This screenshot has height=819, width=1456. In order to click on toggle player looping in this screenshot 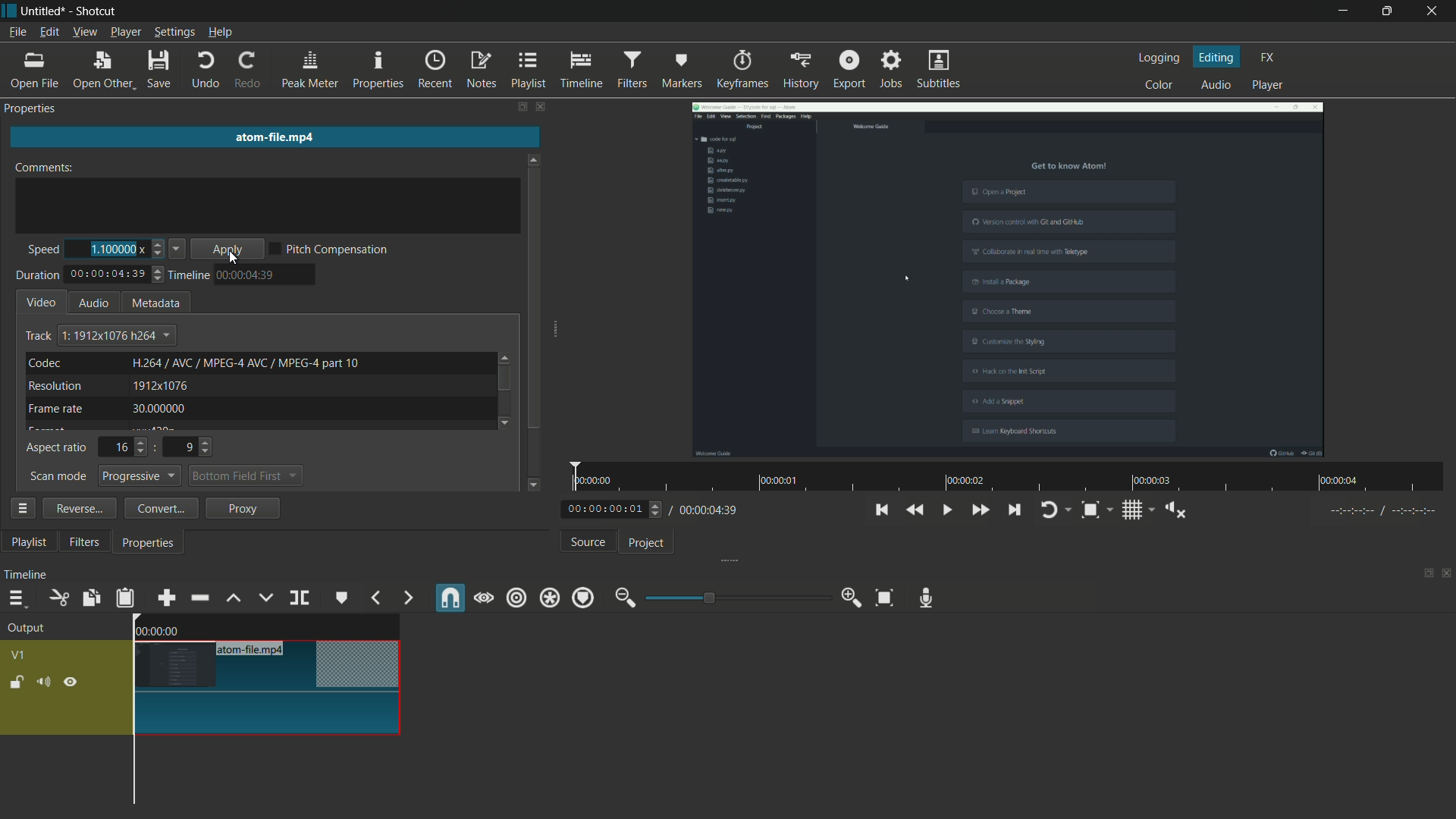, I will do `click(1049, 510)`.